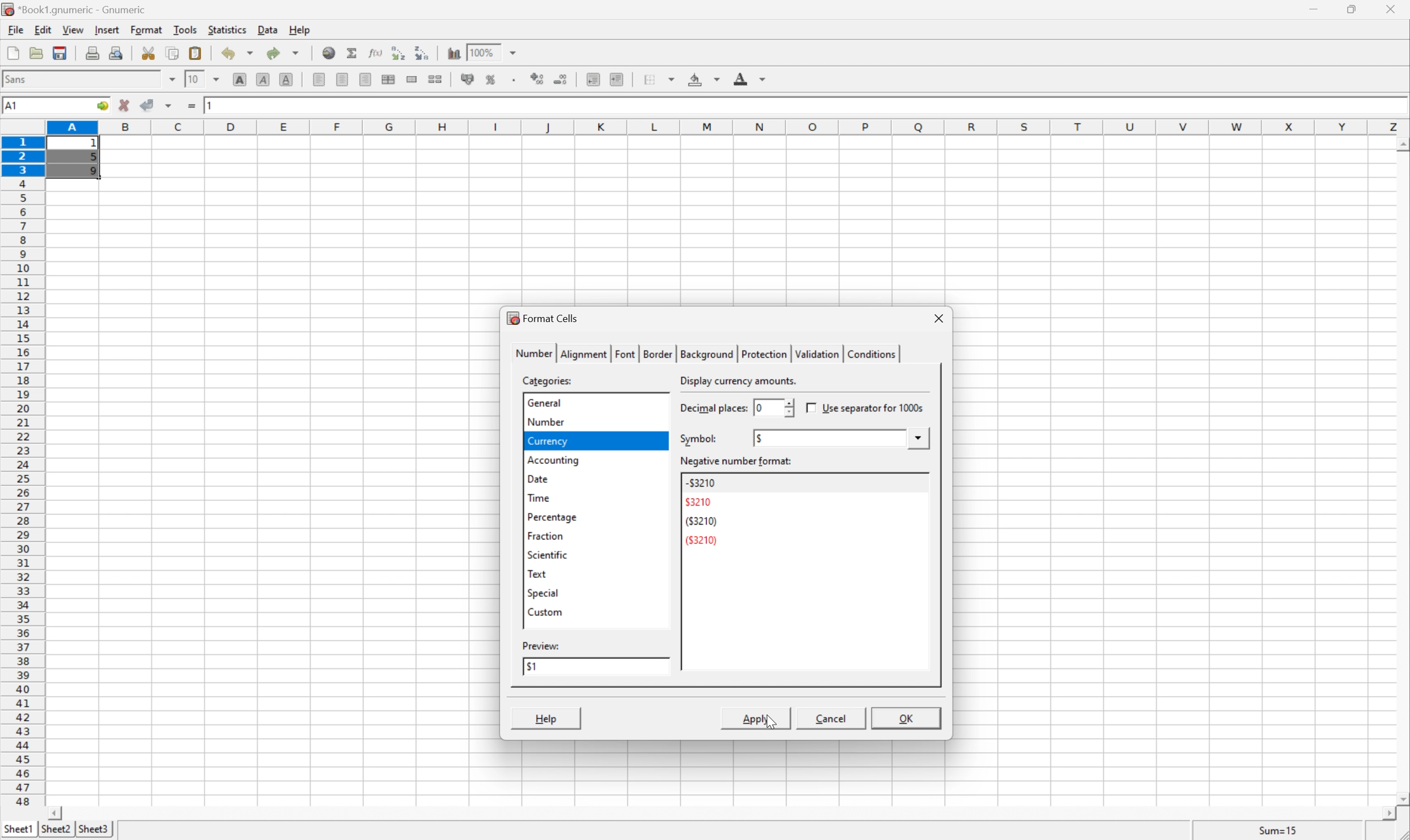  What do you see at coordinates (330, 52) in the screenshot?
I see `insert hyperlink` at bounding box center [330, 52].